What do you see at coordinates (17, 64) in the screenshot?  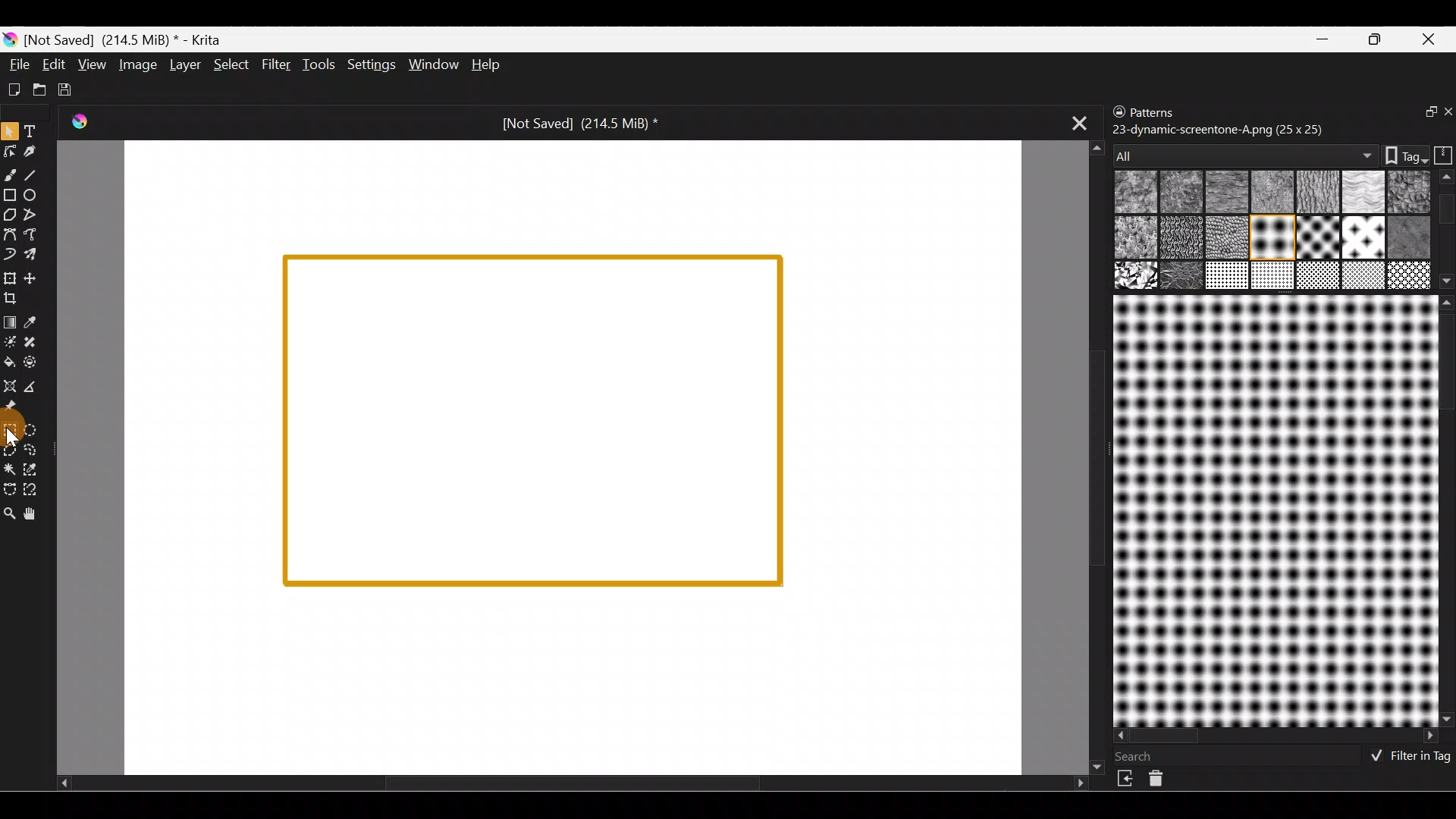 I see `File` at bounding box center [17, 64].